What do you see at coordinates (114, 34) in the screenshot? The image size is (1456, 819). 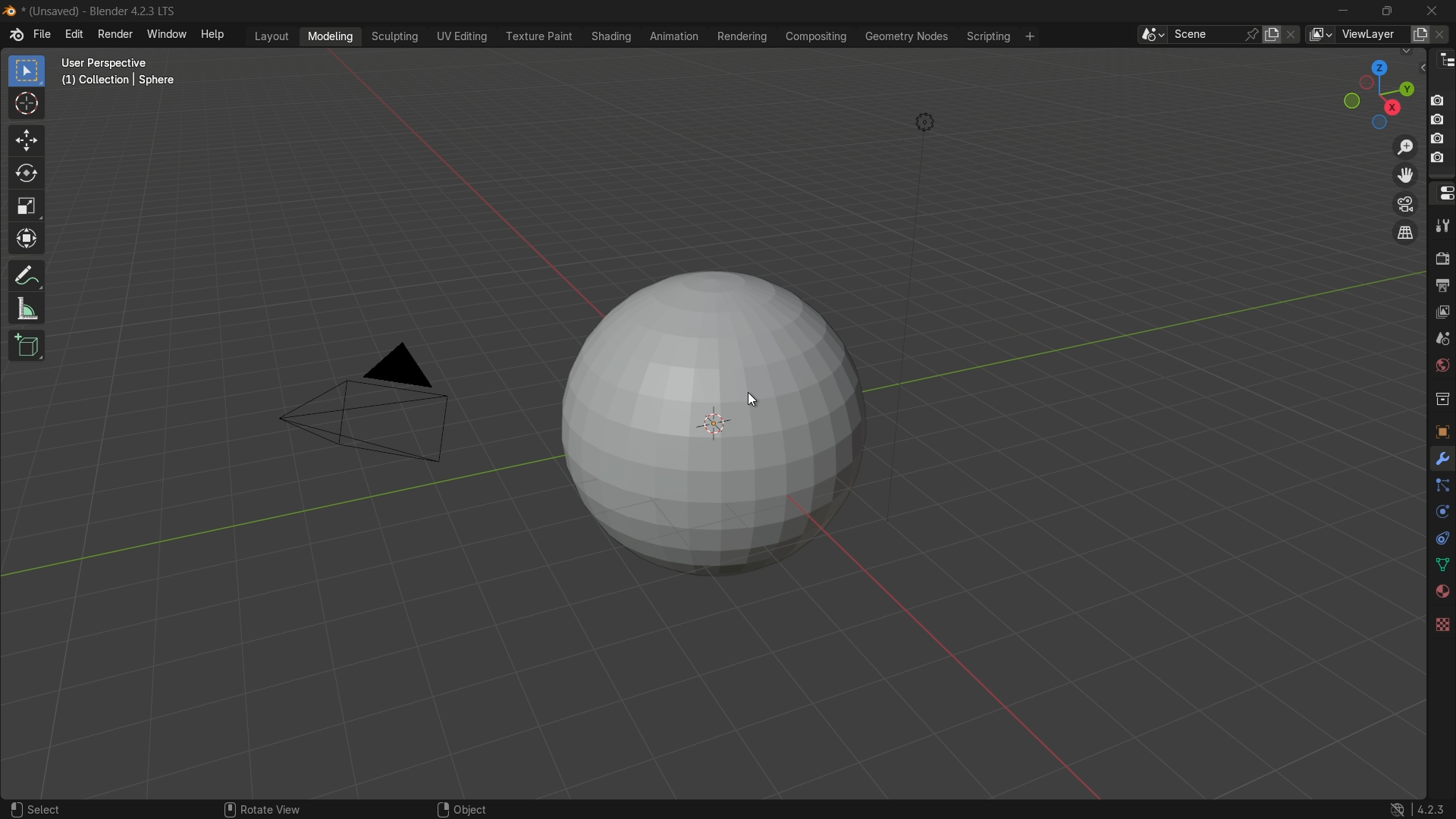 I see `render menu` at bounding box center [114, 34].